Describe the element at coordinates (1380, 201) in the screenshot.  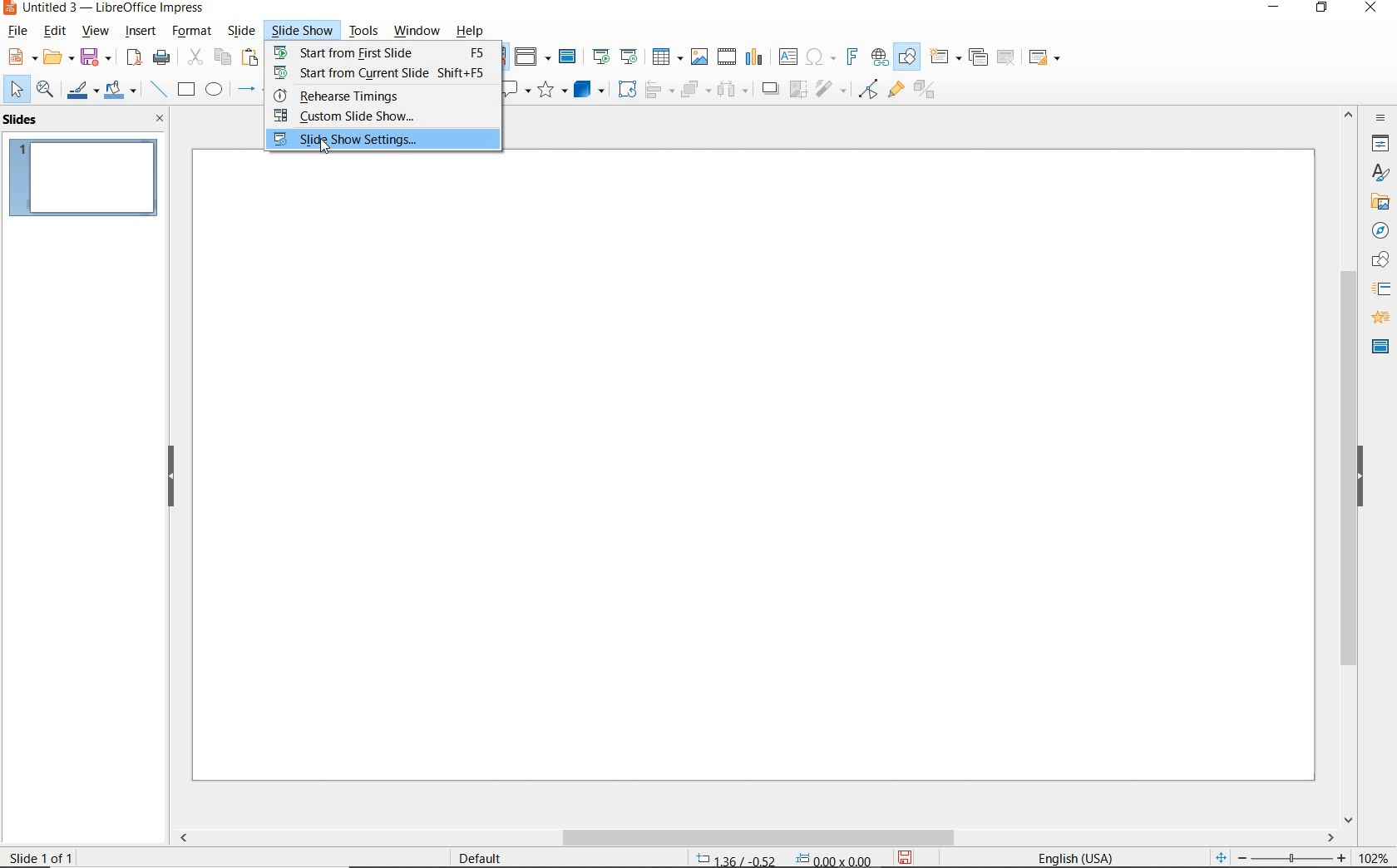
I see `GALLERY` at that location.